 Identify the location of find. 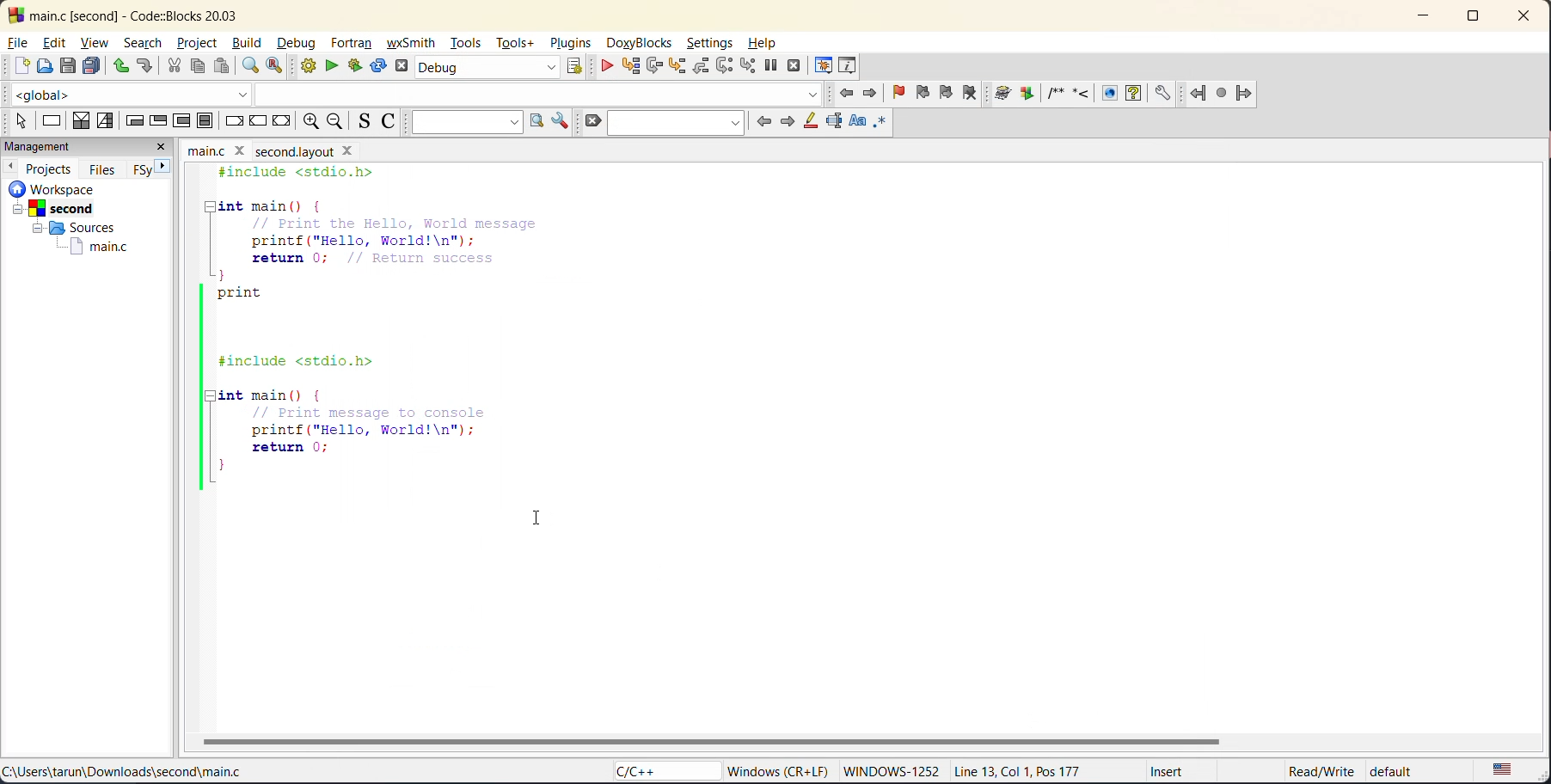
(251, 66).